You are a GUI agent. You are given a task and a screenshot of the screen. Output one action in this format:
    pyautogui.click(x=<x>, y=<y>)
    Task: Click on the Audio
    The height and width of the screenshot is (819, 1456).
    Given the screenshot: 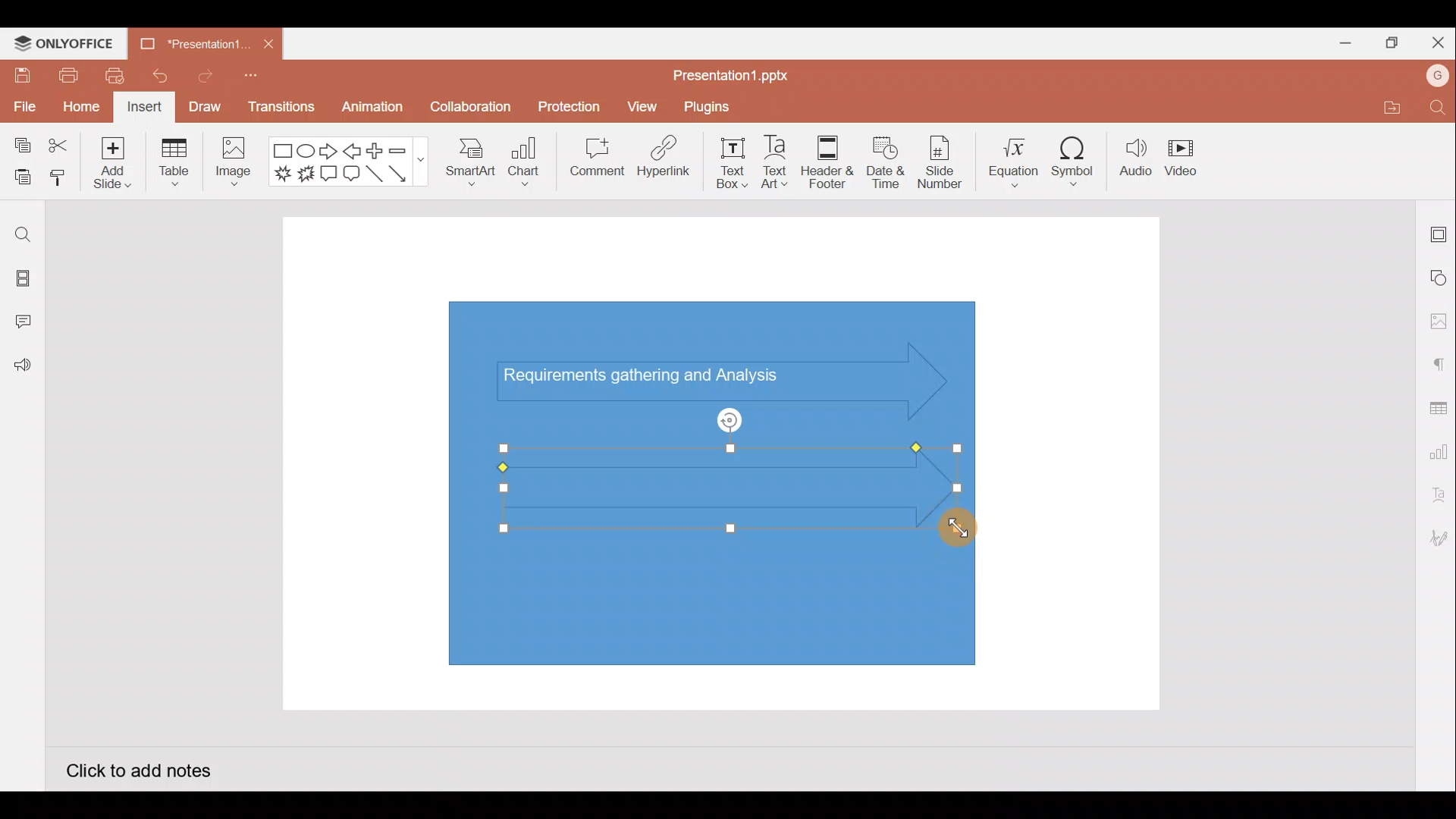 What is the action you would take?
    pyautogui.click(x=1136, y=158)
    